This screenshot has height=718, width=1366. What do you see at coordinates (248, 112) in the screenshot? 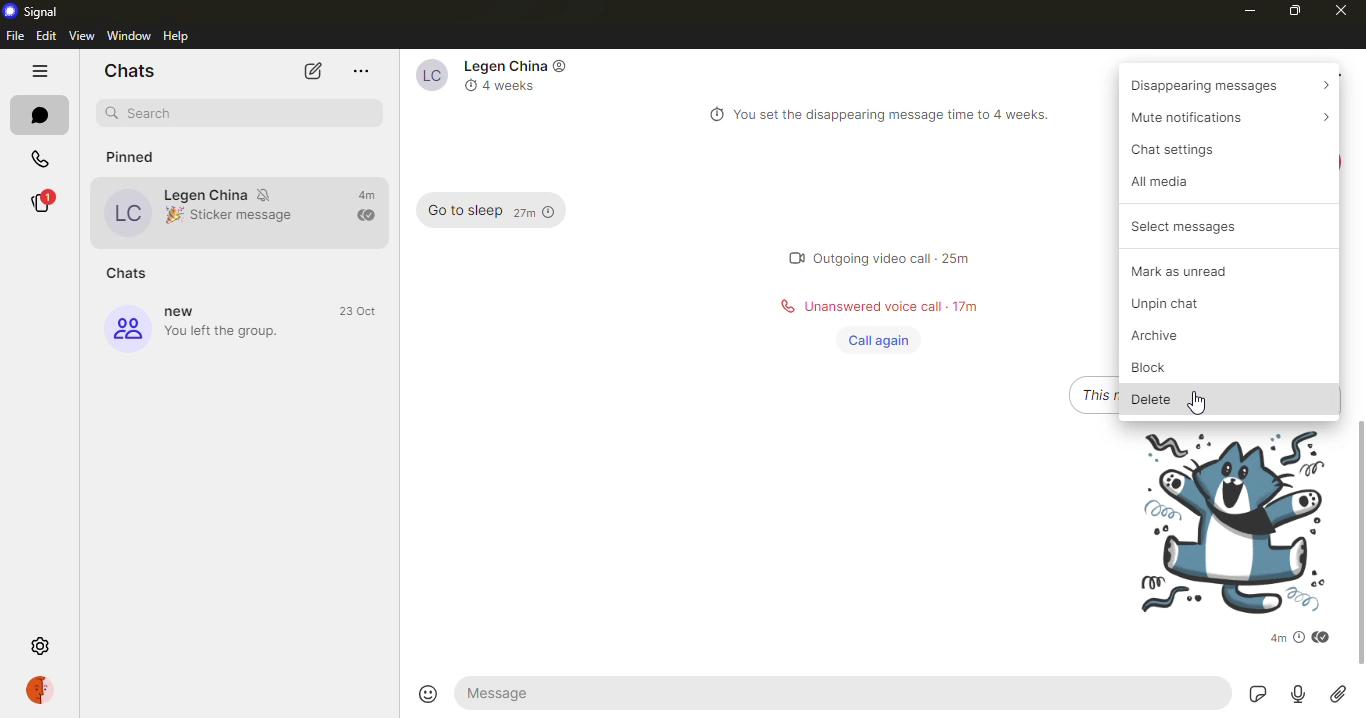
I see `search` at bounding box center [248, 112].